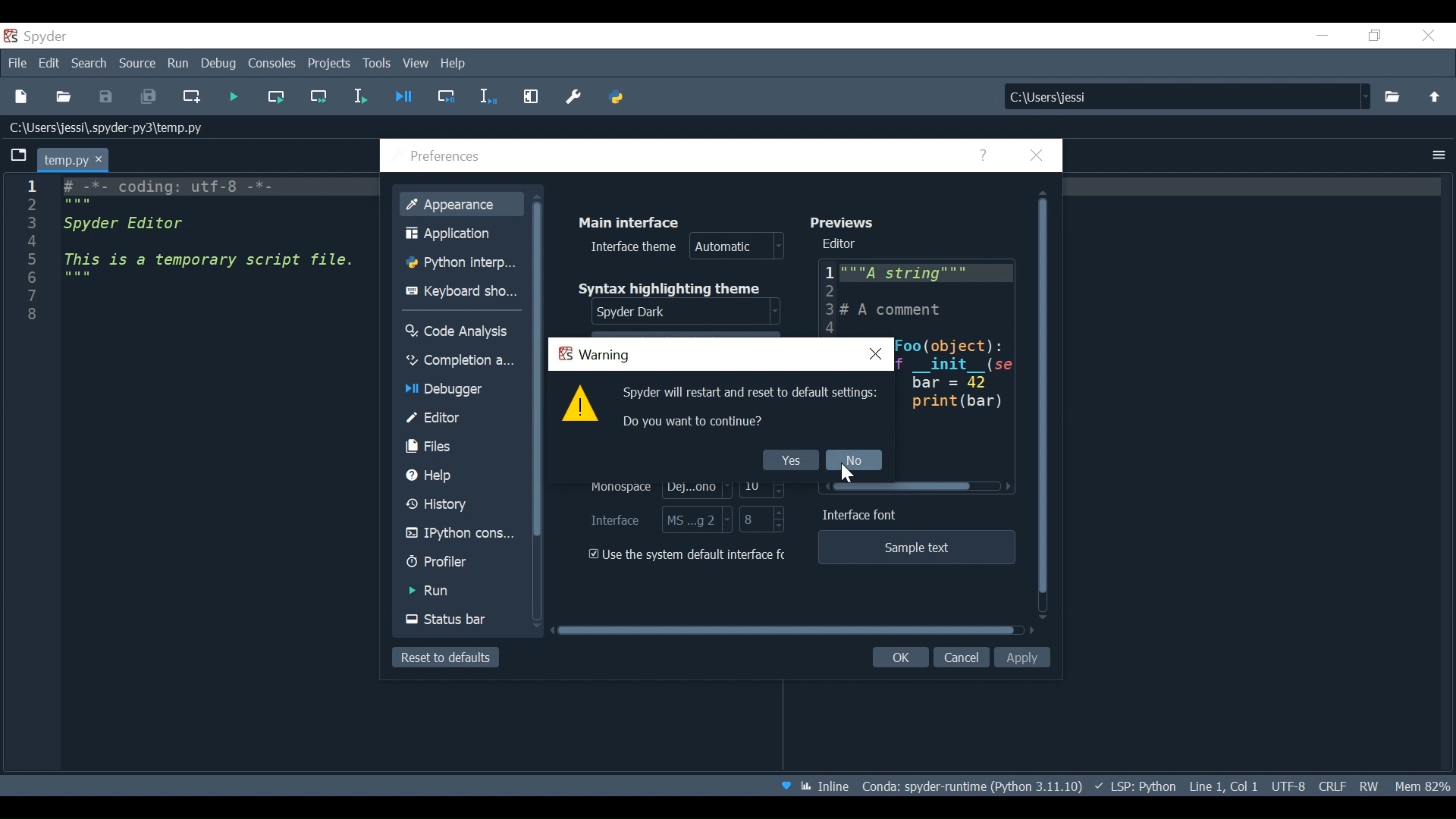 The height and width of the screenshot is (819, 1456). What do you see at coordinates (762, 519) in the screenshot?
I see `Interface Font Size` at bounding box center [762, 519].